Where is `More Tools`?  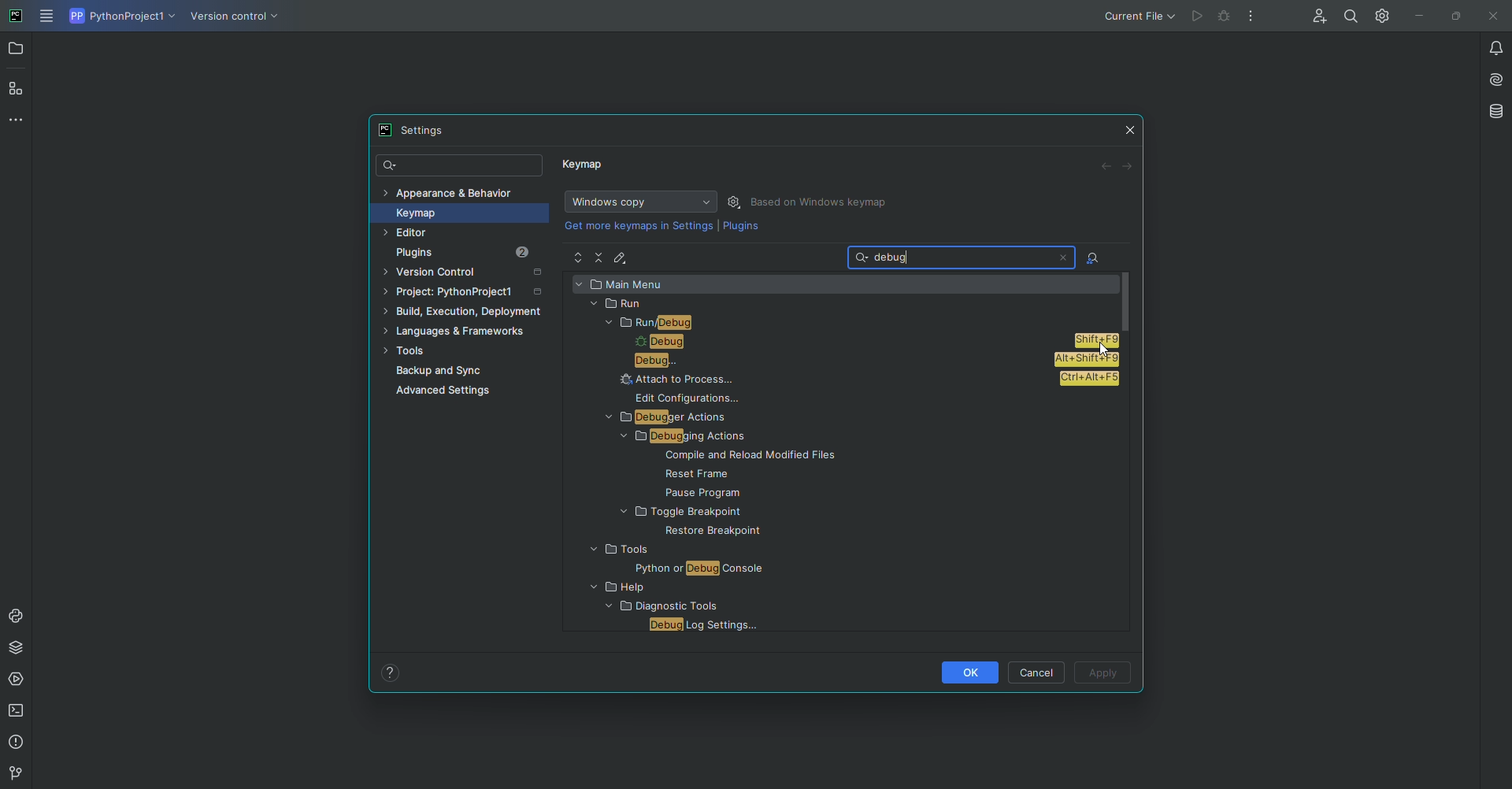 More Tools is located at coordinates (20, 119).